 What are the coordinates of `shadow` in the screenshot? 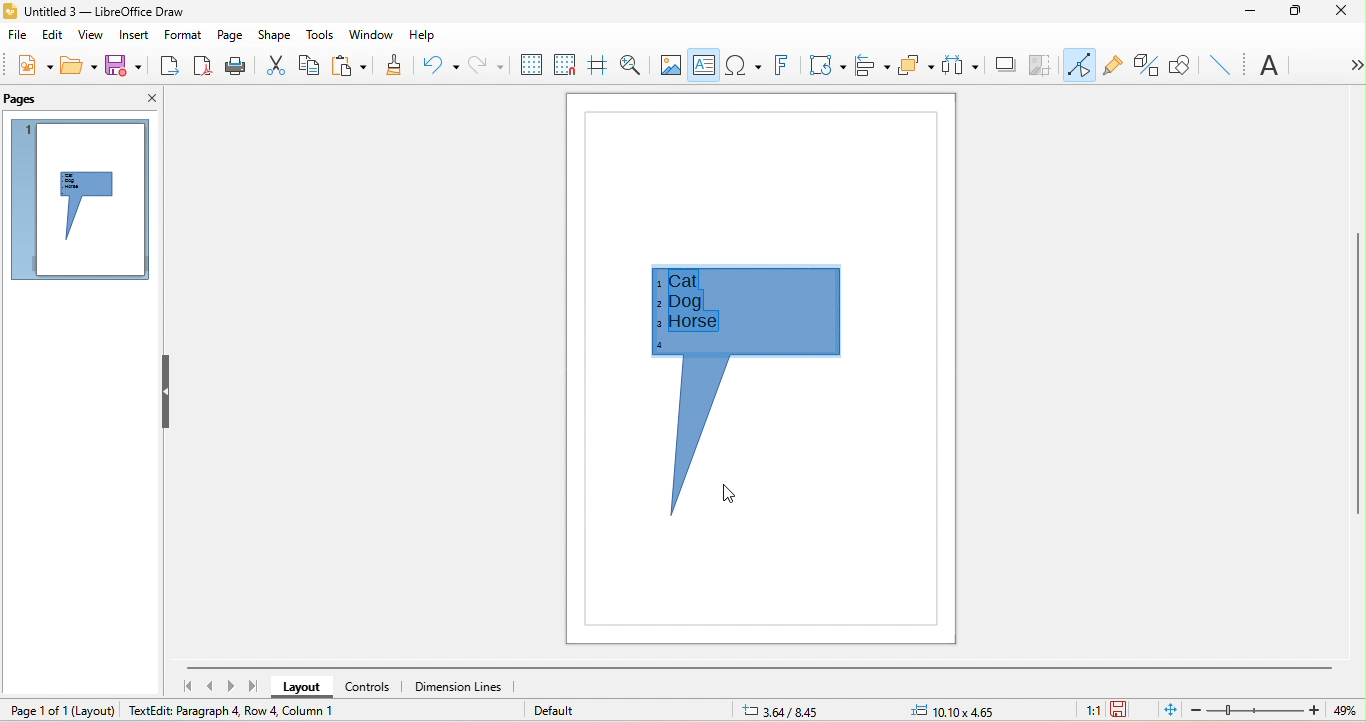 It's located at (1004, 68).